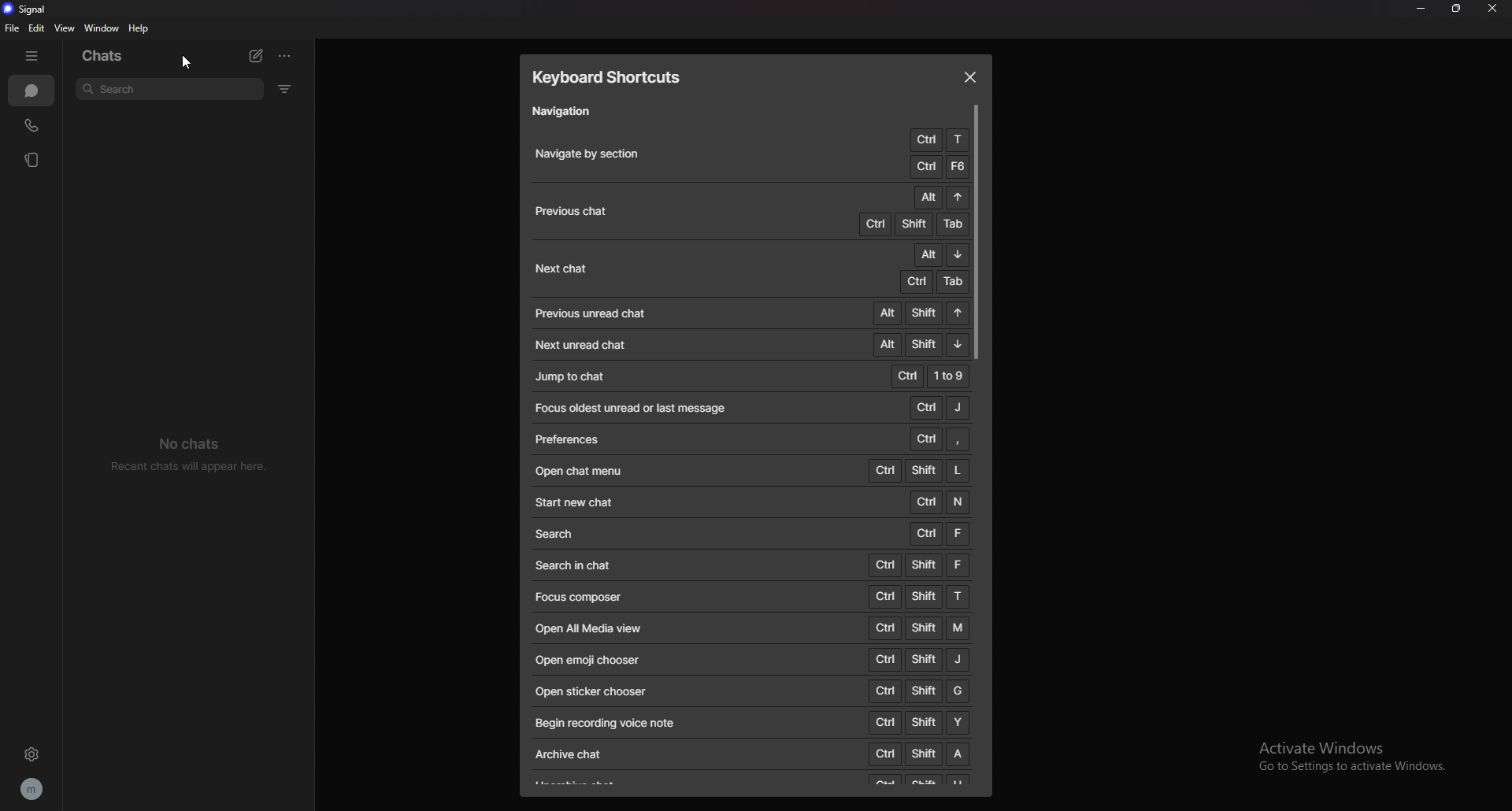  What do you see at coordinates (191, 440) in the screenshot?
I see `No chats` at bounding box center [191, 440].